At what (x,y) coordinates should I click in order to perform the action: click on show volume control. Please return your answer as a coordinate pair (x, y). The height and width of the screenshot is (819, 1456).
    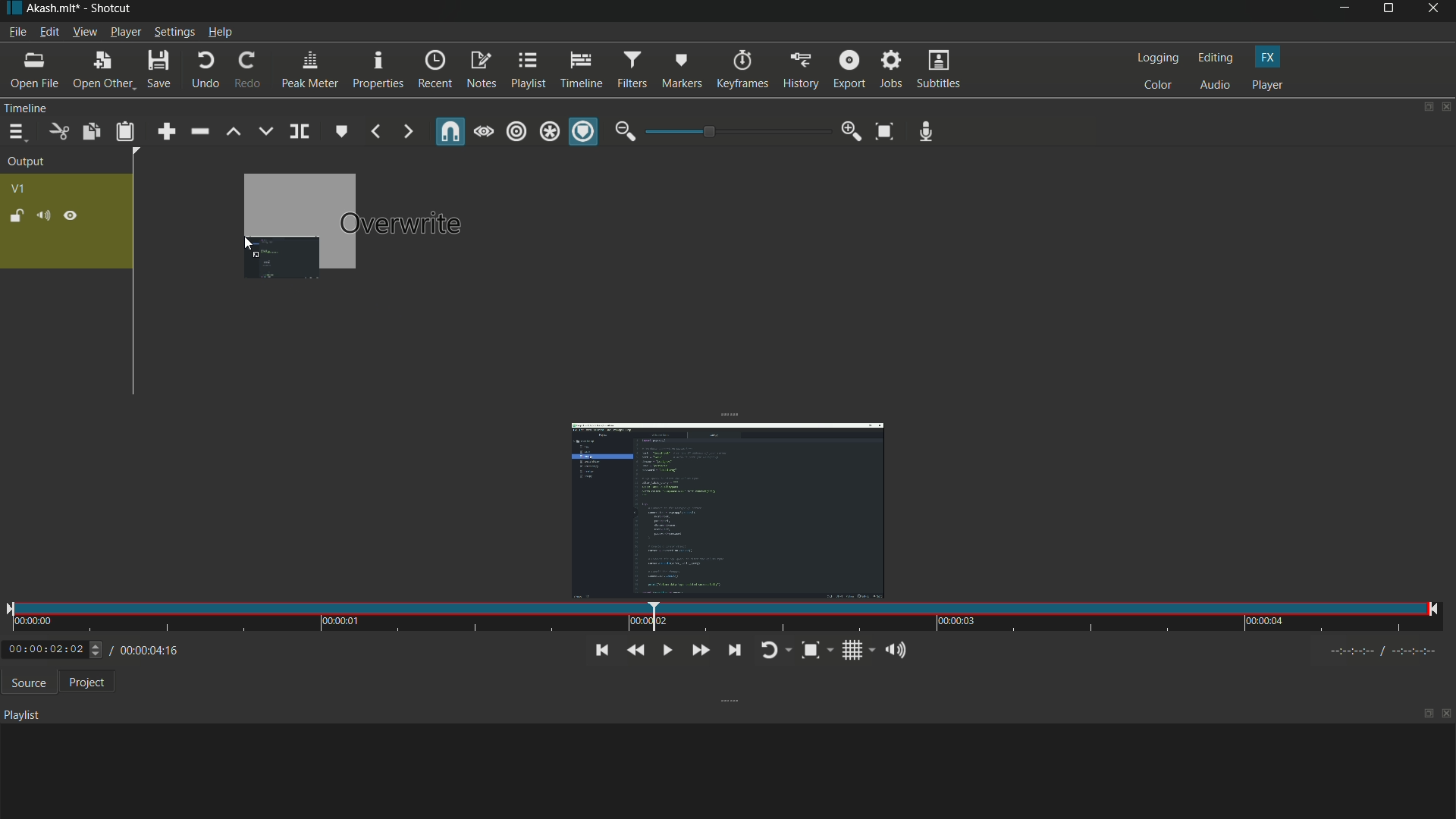
    Looking at the image, I should click on (899, 649).